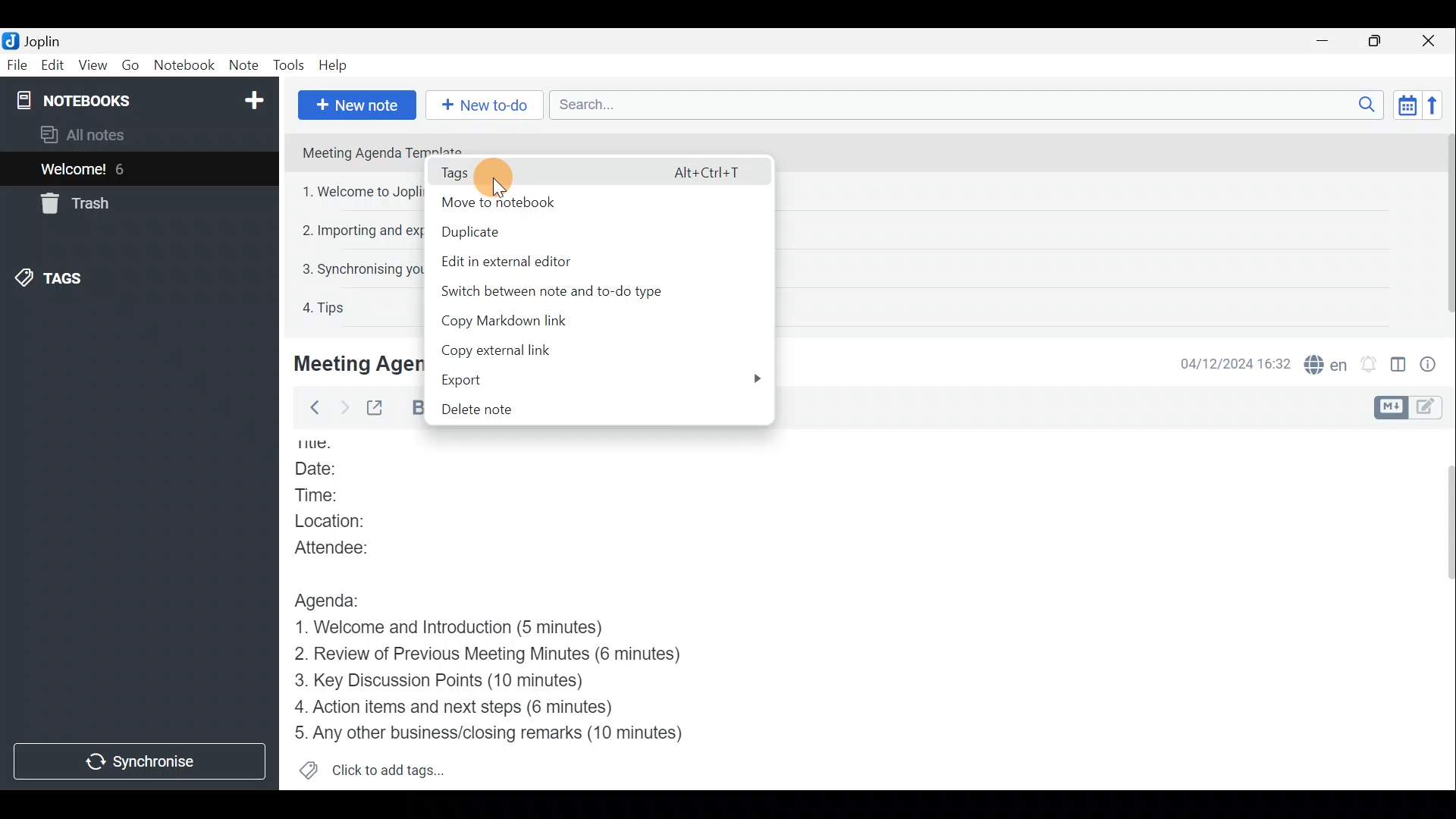  I want to click on 6, so click(124, 169).